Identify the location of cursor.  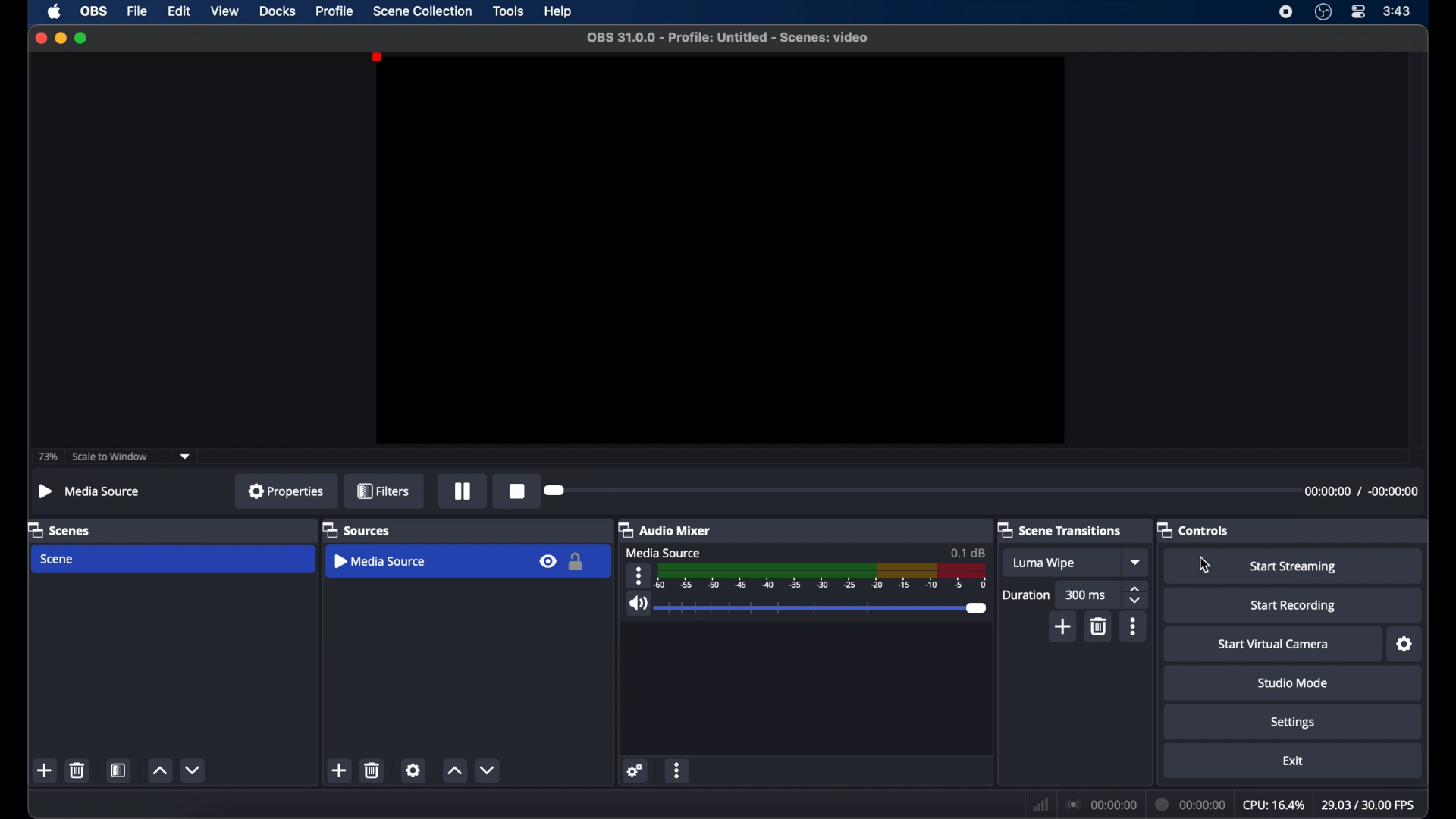
(1205, 565).